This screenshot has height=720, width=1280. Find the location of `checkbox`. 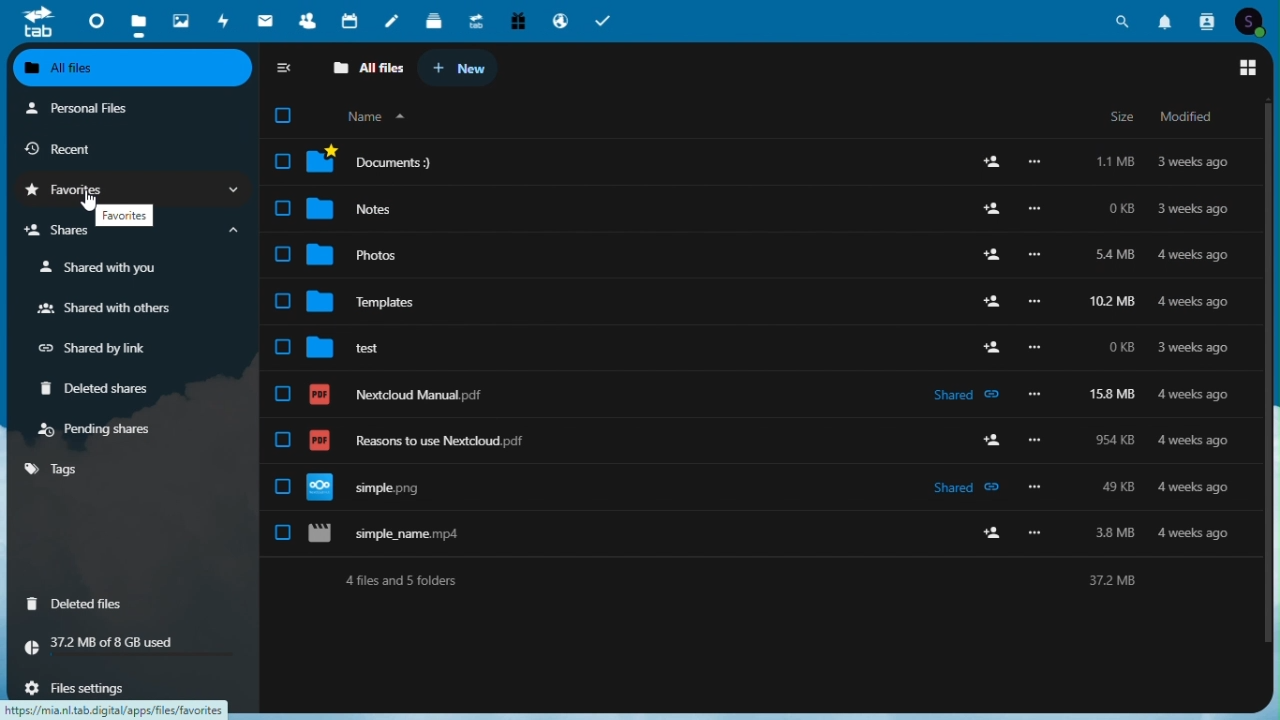

checkbox is located at coordinates (282, 116).